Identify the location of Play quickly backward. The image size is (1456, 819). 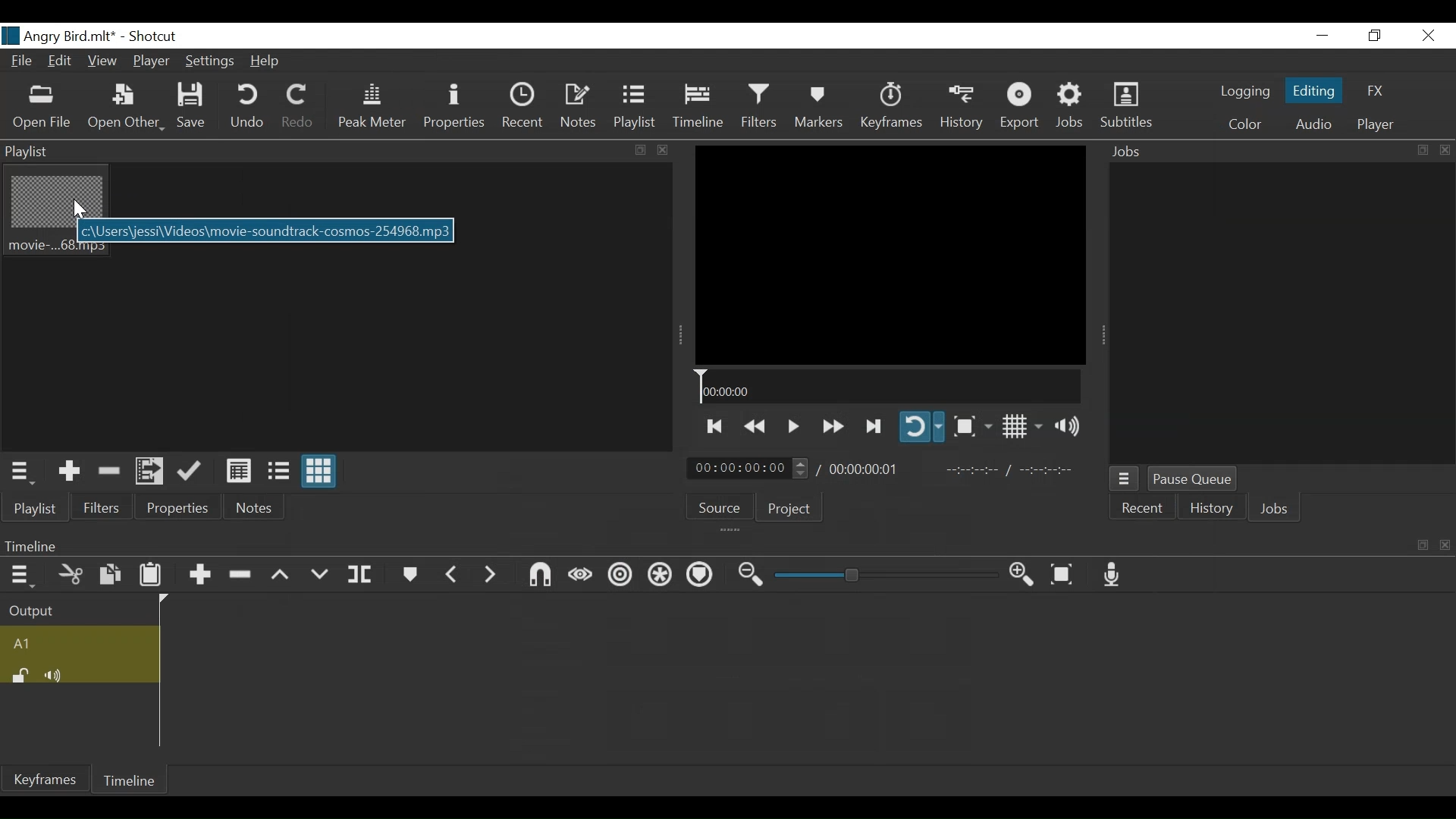
(754, 424).